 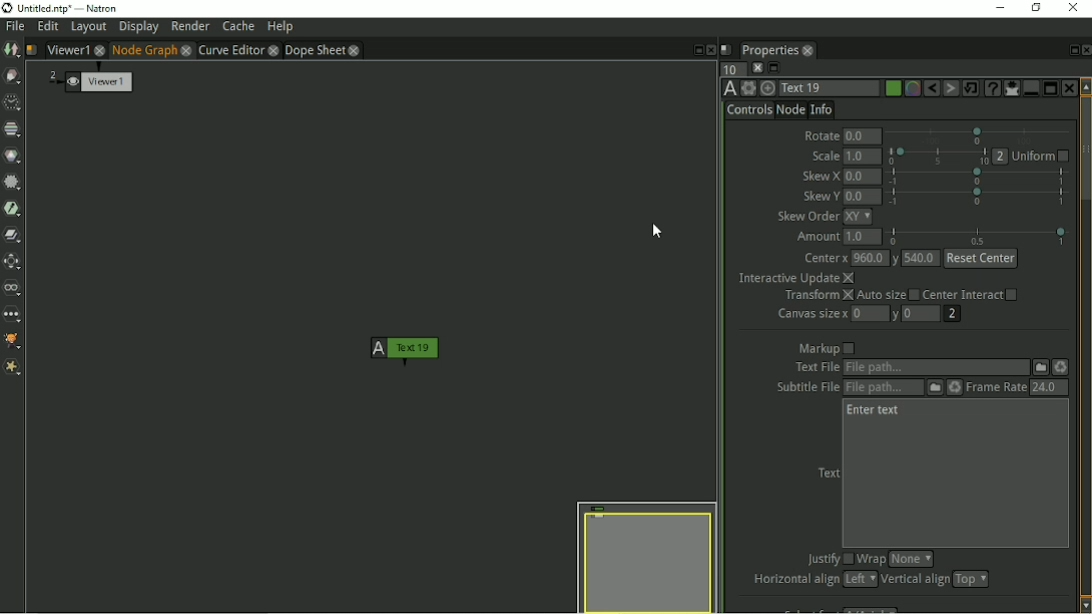 I want to click on Minimize/maximize all panels, so click(x=774, y=68).